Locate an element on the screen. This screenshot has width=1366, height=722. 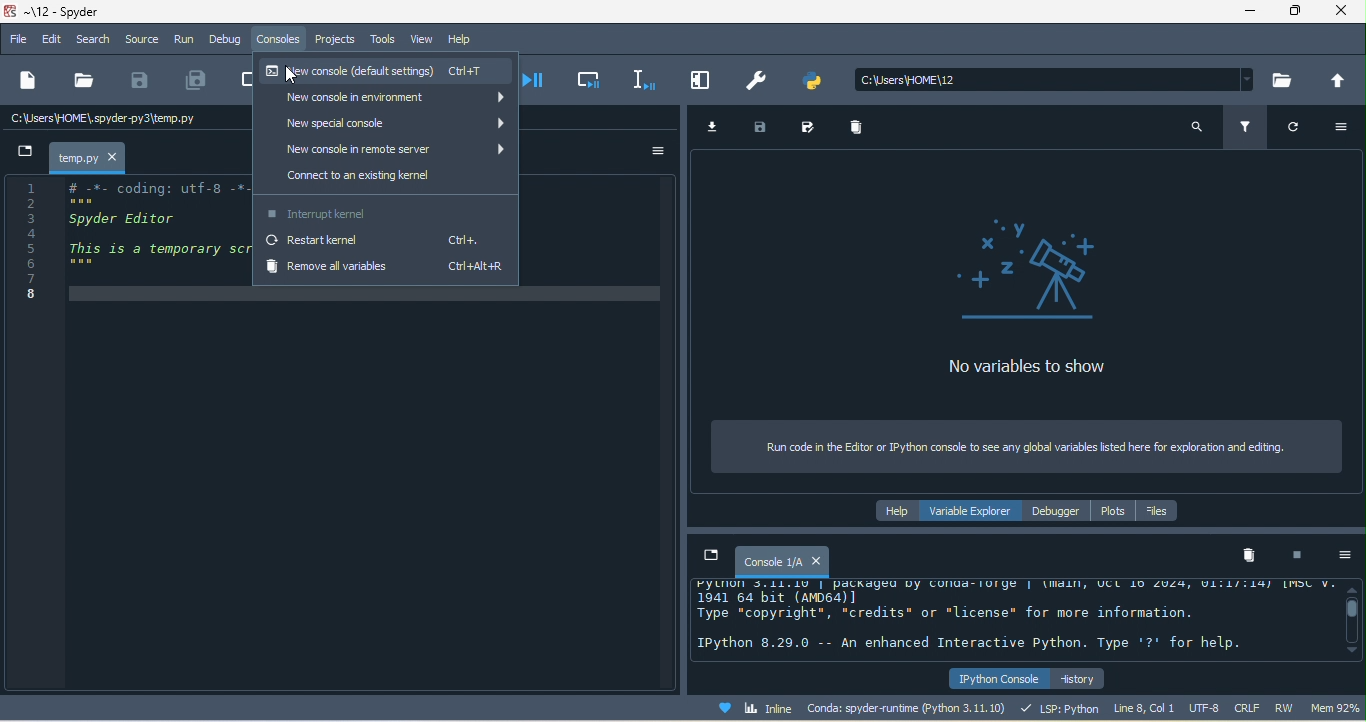
pythonpath manager is located at coordinates (819, 78).